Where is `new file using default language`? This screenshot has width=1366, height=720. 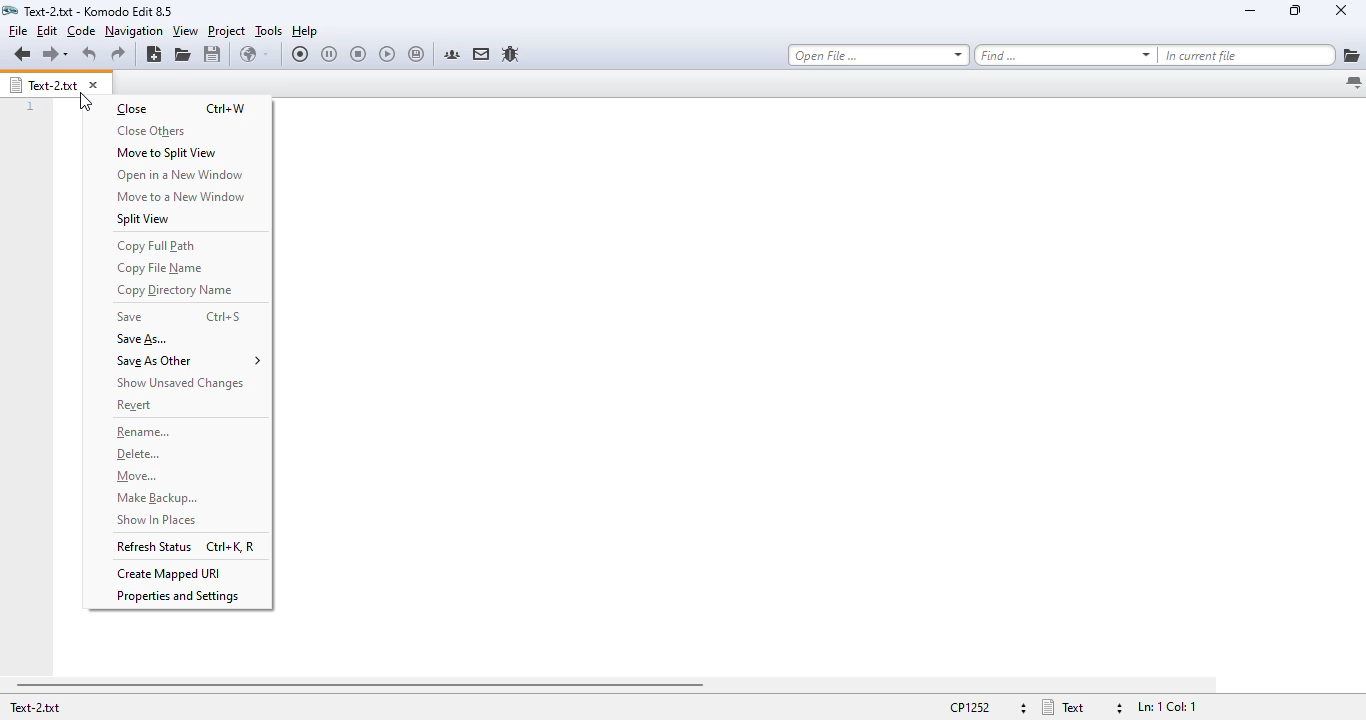
new file using default language is located at coordinates (155, 55).